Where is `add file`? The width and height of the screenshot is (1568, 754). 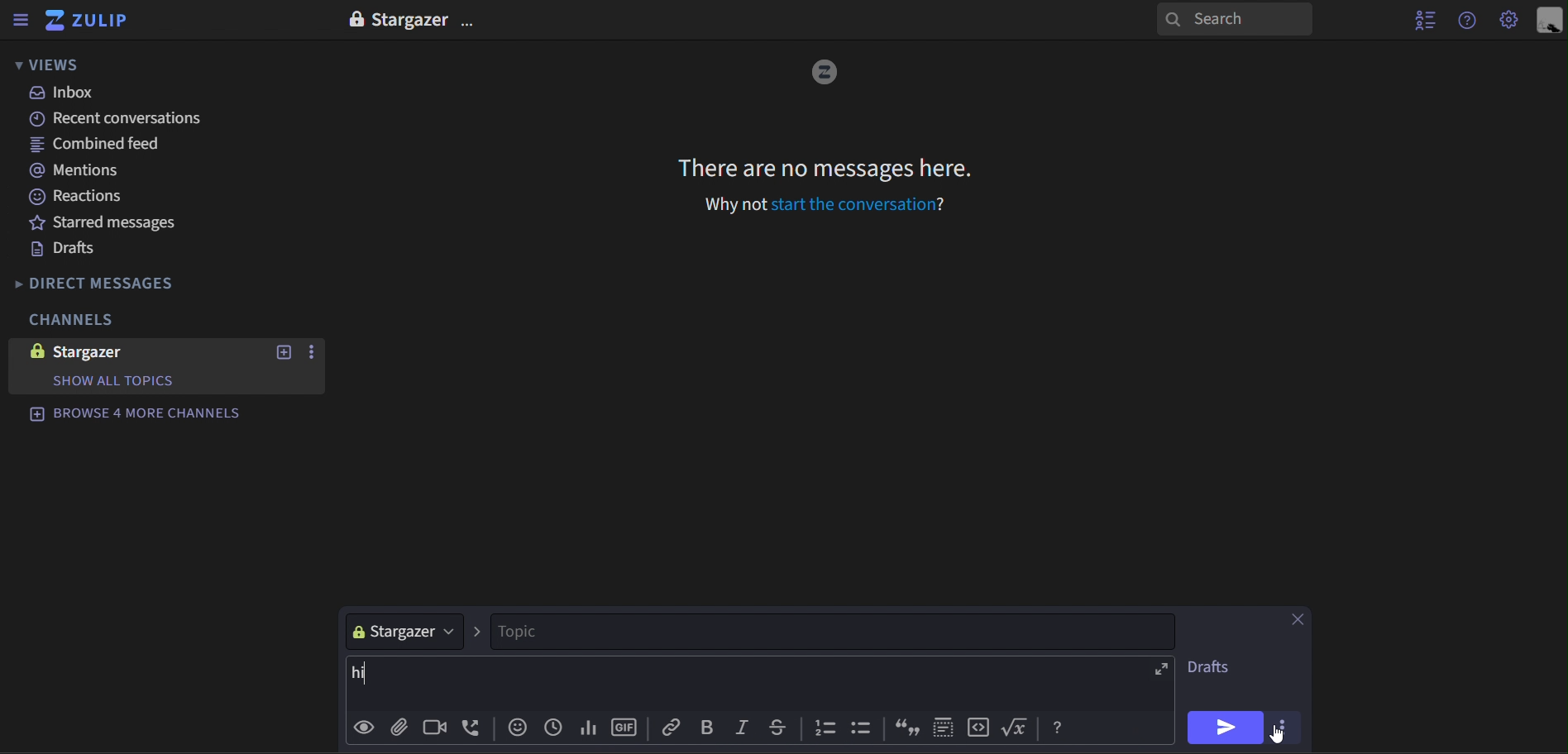 add file is located at coordinates (399, 728).